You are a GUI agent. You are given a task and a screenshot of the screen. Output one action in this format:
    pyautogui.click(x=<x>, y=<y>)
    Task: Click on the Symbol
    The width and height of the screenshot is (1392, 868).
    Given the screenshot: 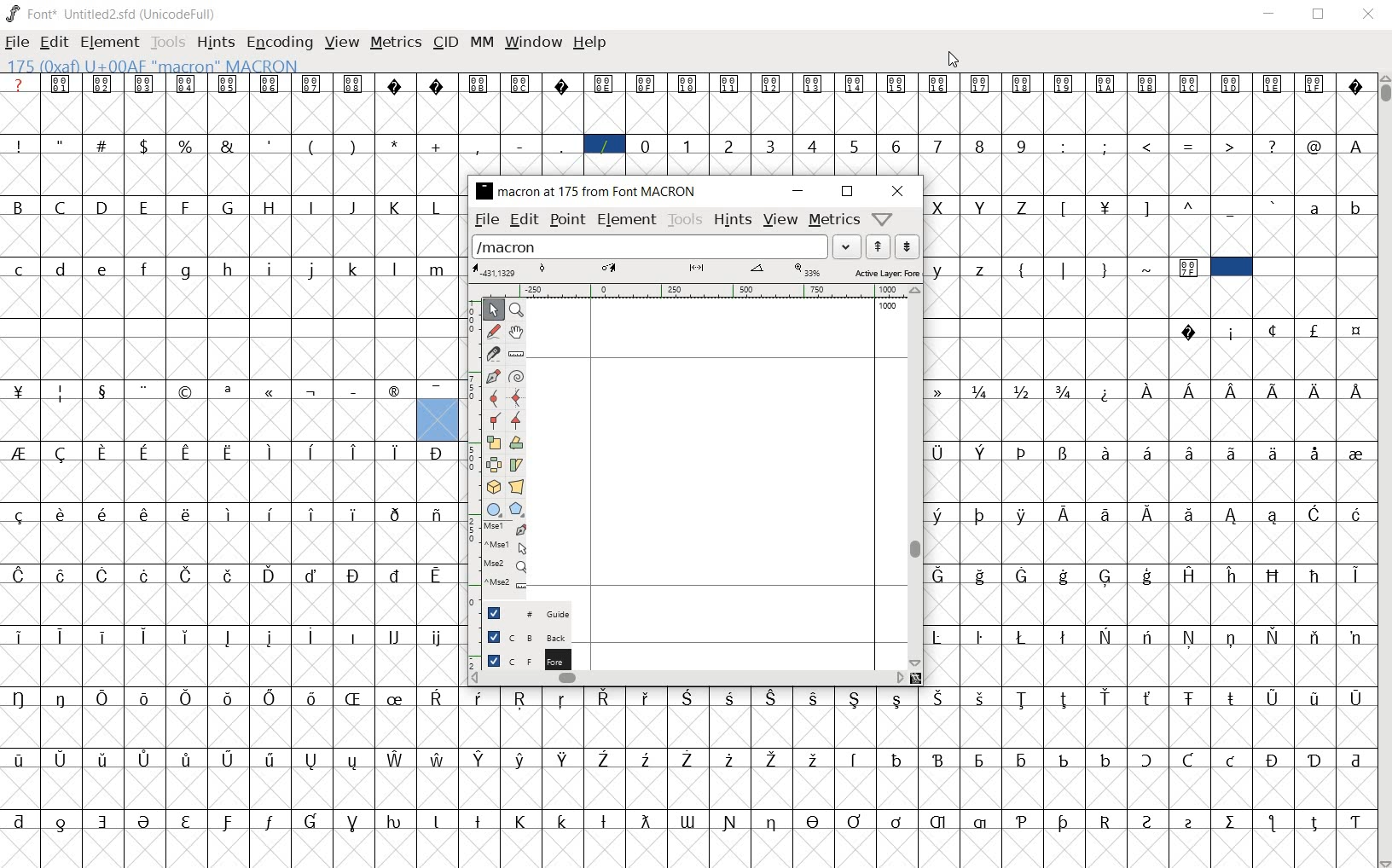 What is the action you would take?
    pyautogui.click(x=983, y=84)
    